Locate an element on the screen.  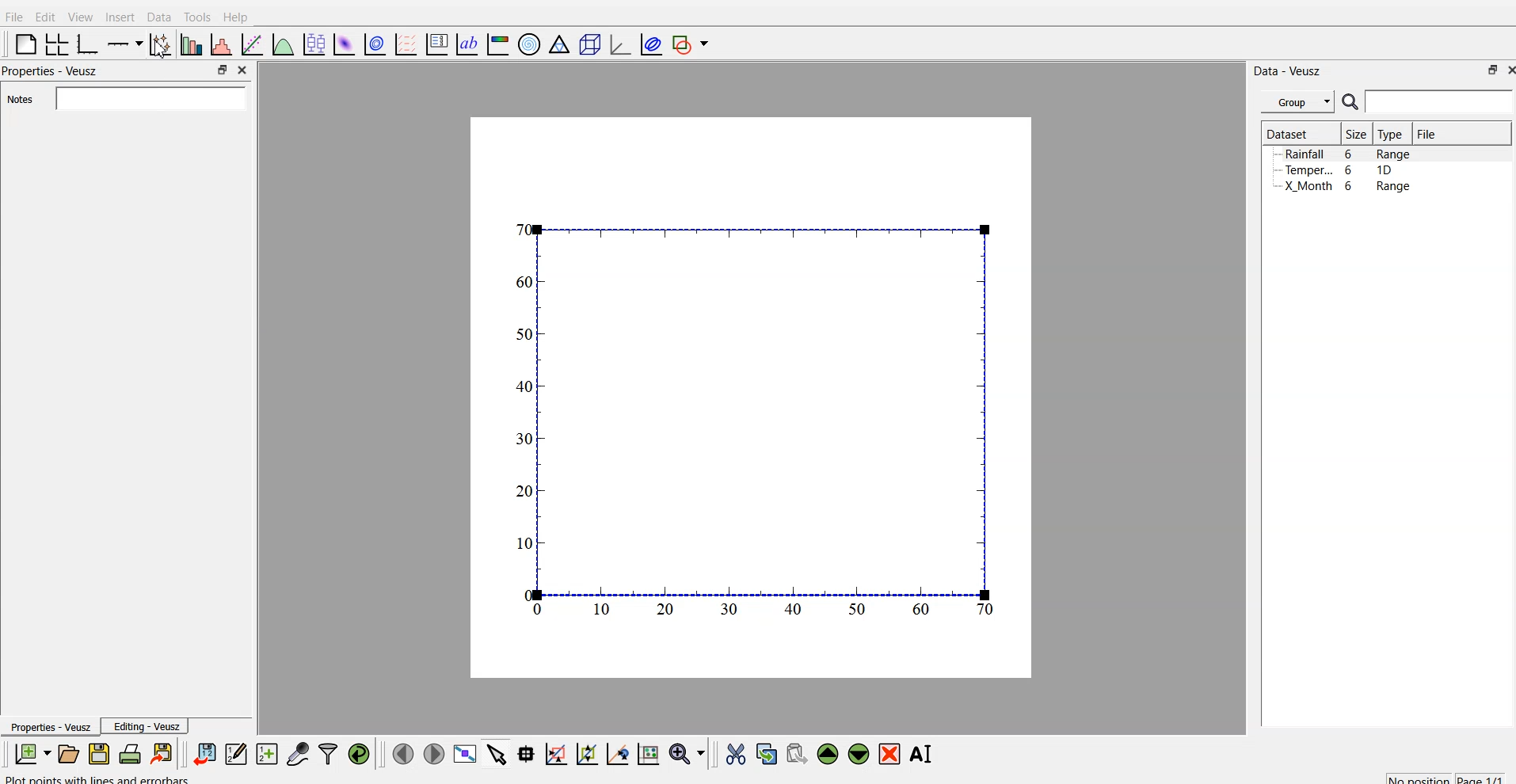
draw rectangle to zoom is located at coordinates (556, 753).